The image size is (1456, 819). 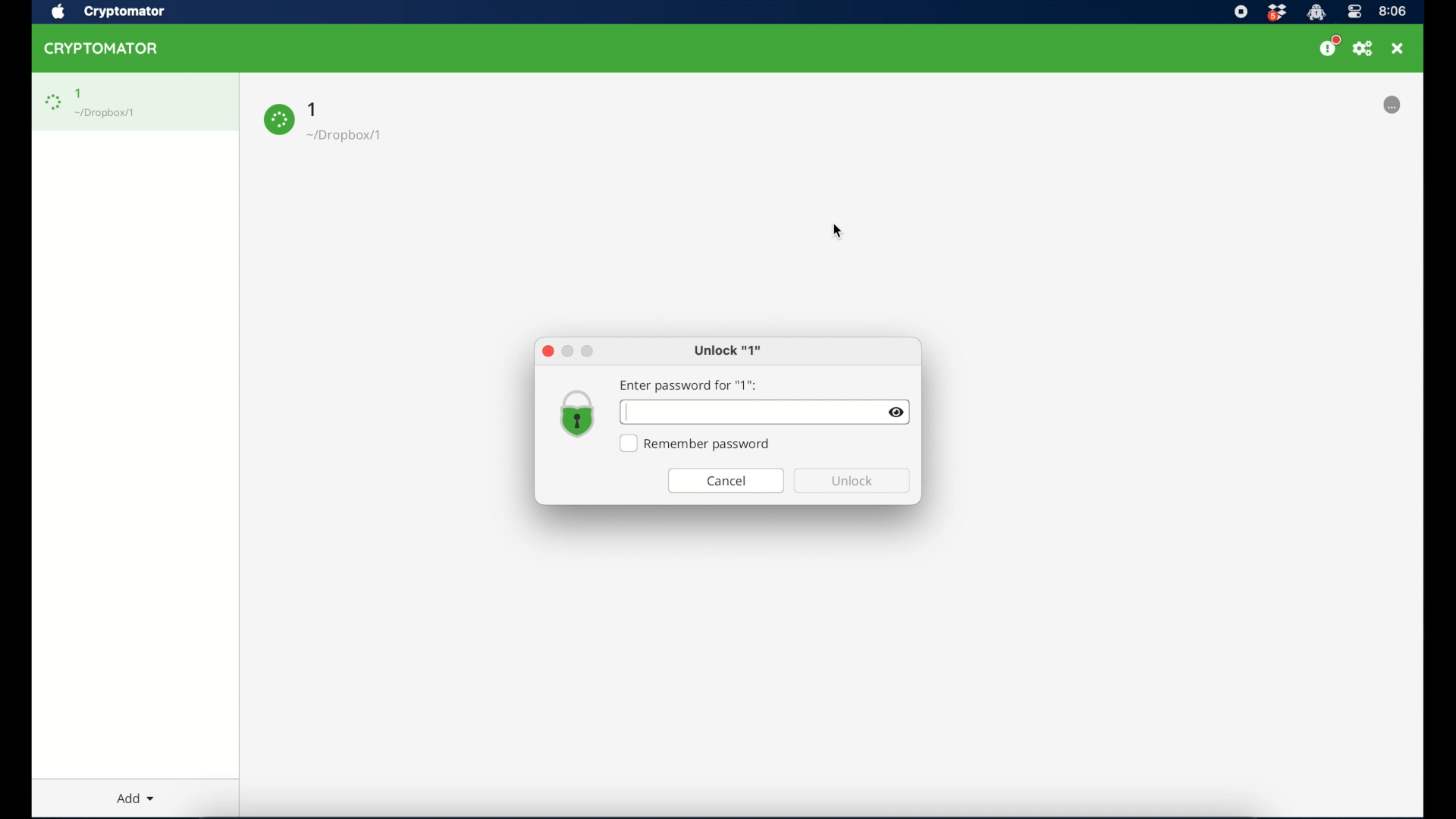 I want to click on dropbox icon, so click(x=1276, y=13).